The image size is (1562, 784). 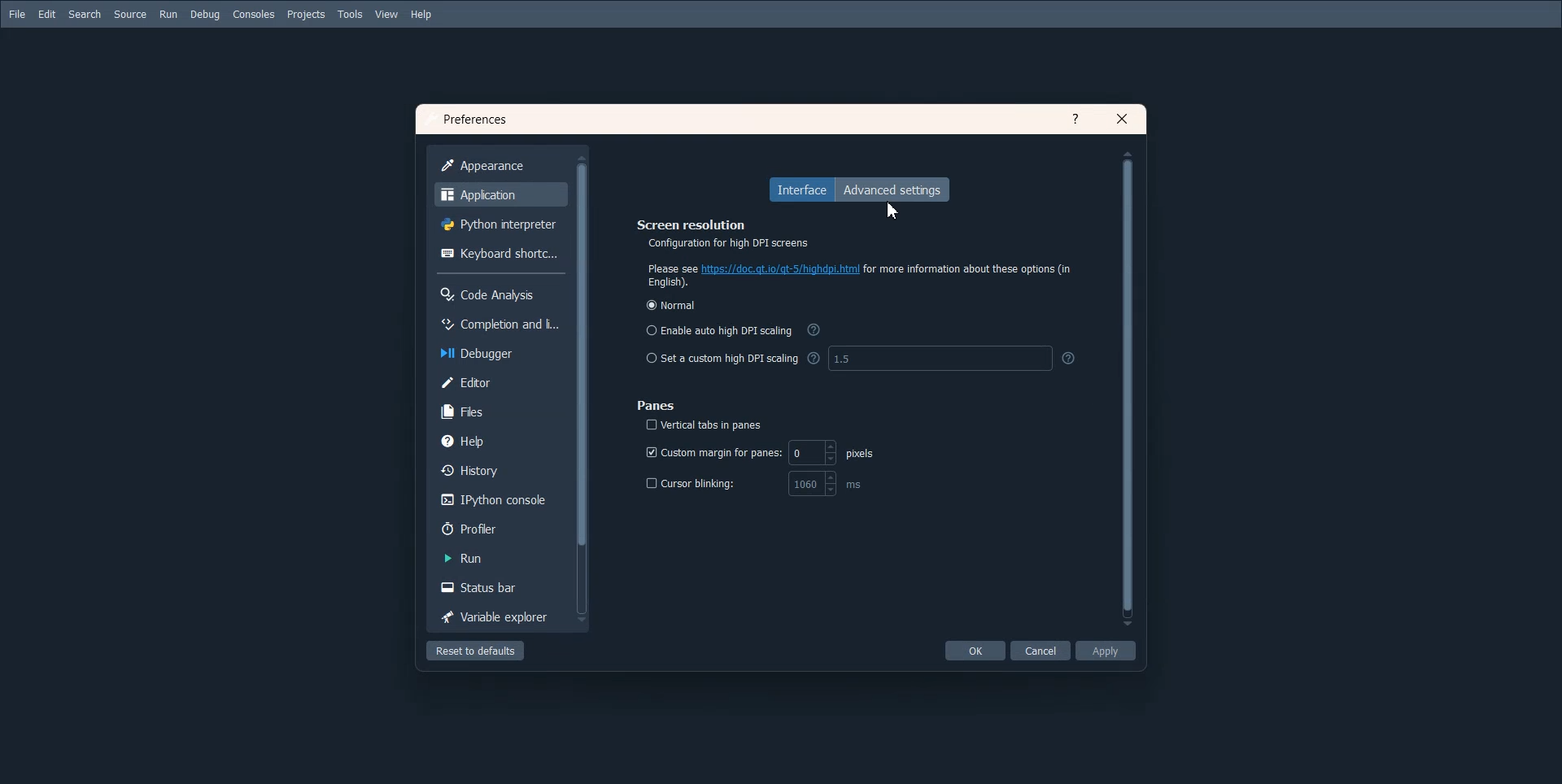 What do you see at coordinates (498, 166) in the screenshot?
I see `Appearance` at bounding box center [498, 166].